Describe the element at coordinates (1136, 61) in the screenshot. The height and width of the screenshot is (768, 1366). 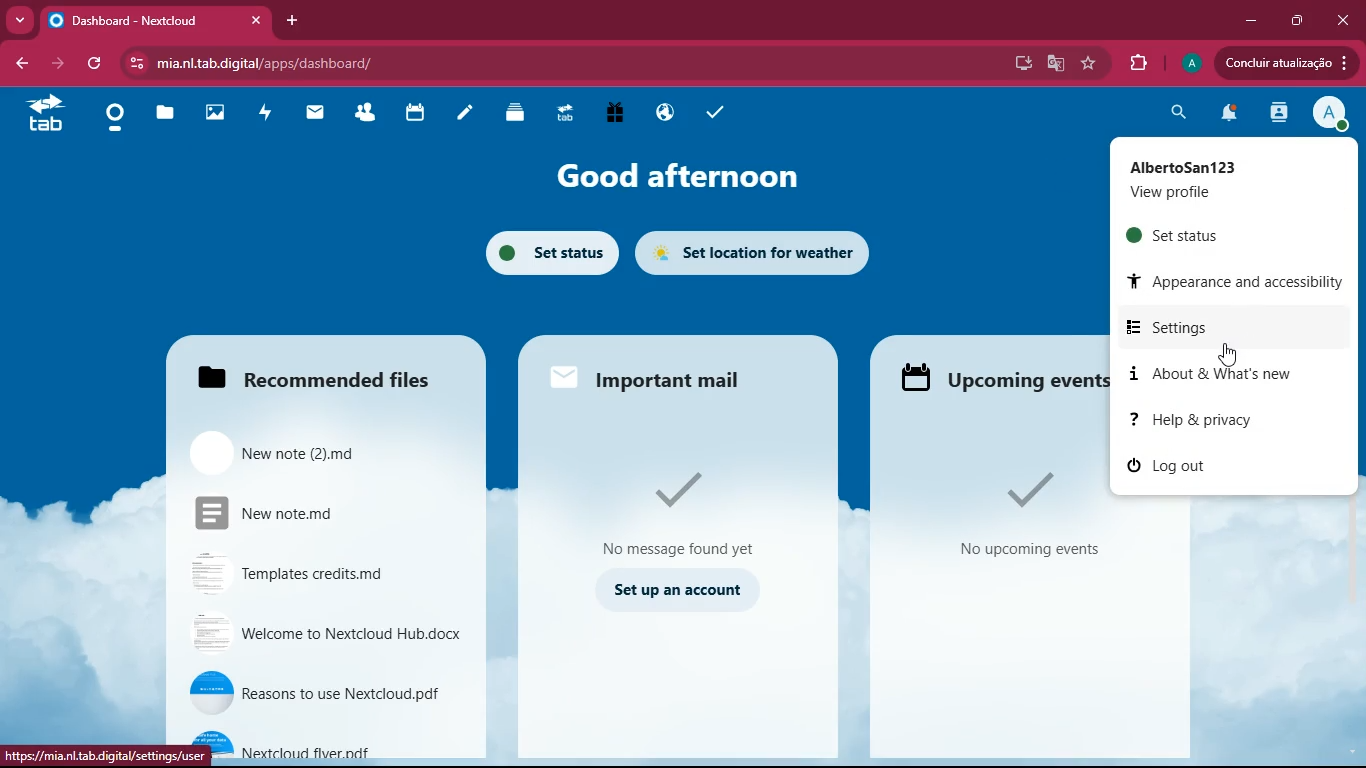
I see `extensions` at that location.